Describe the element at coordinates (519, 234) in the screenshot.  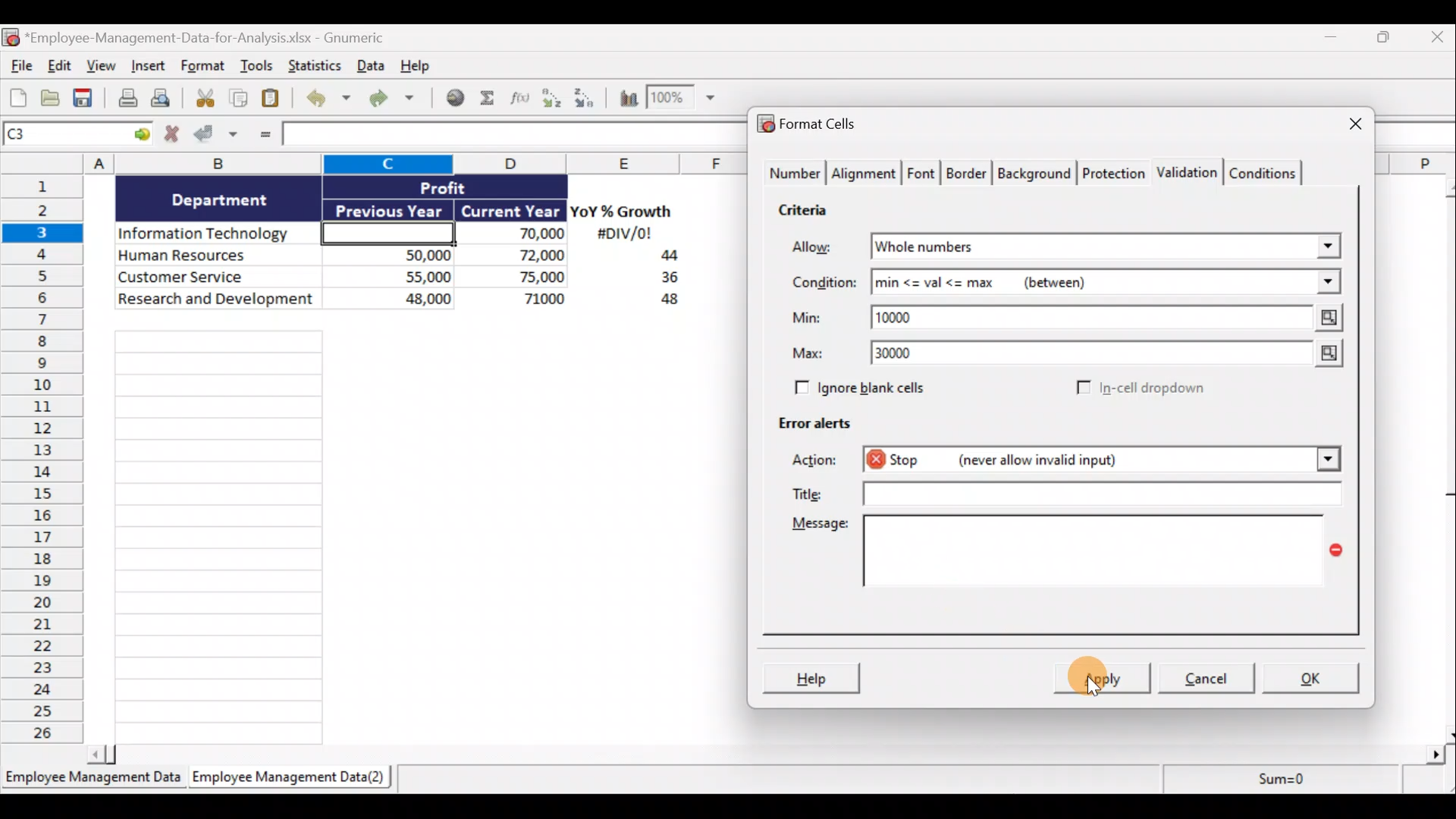
I see `70,000` at that location.